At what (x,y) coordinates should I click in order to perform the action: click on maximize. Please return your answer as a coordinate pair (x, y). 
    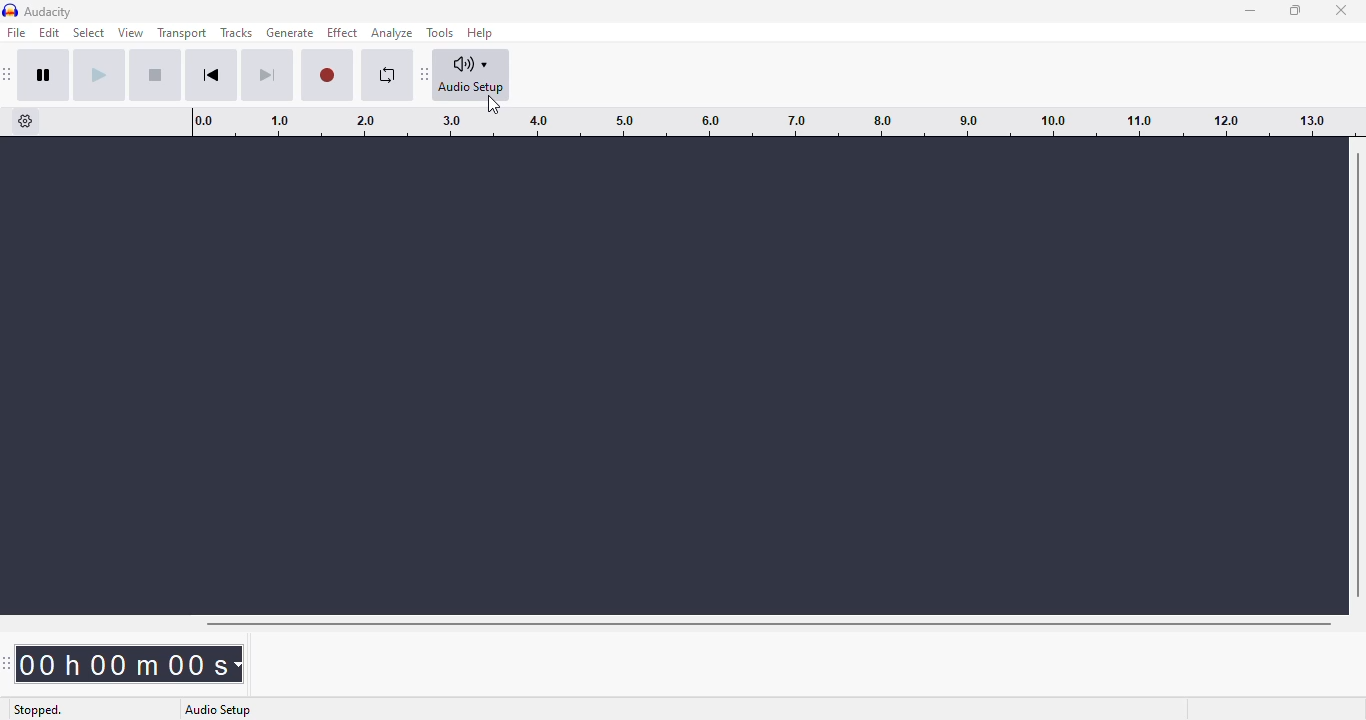
    Looking at the image, I should click on (1295, 9).